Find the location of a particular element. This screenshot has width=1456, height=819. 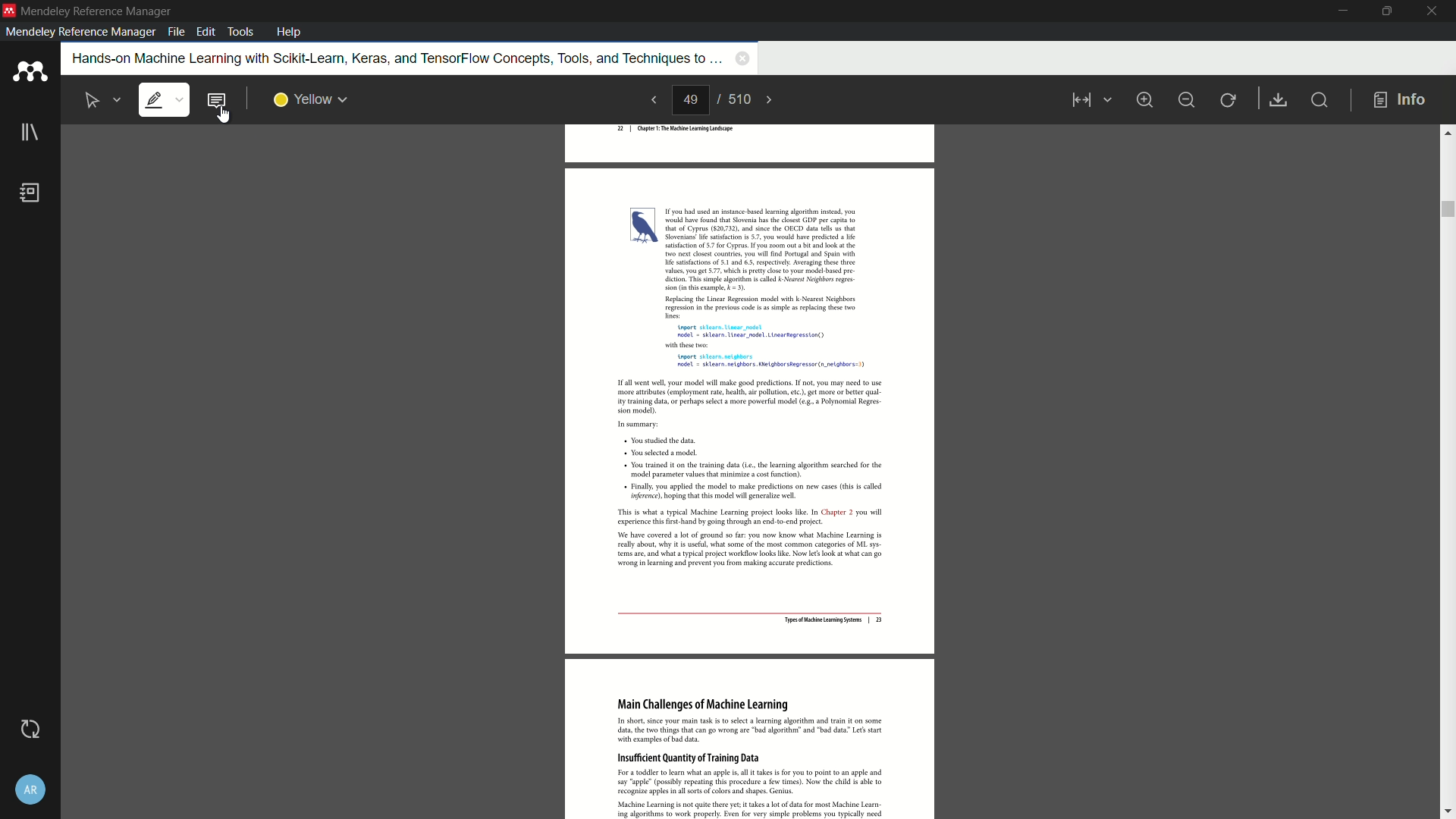

help menu is located at coordinates (290, 32).